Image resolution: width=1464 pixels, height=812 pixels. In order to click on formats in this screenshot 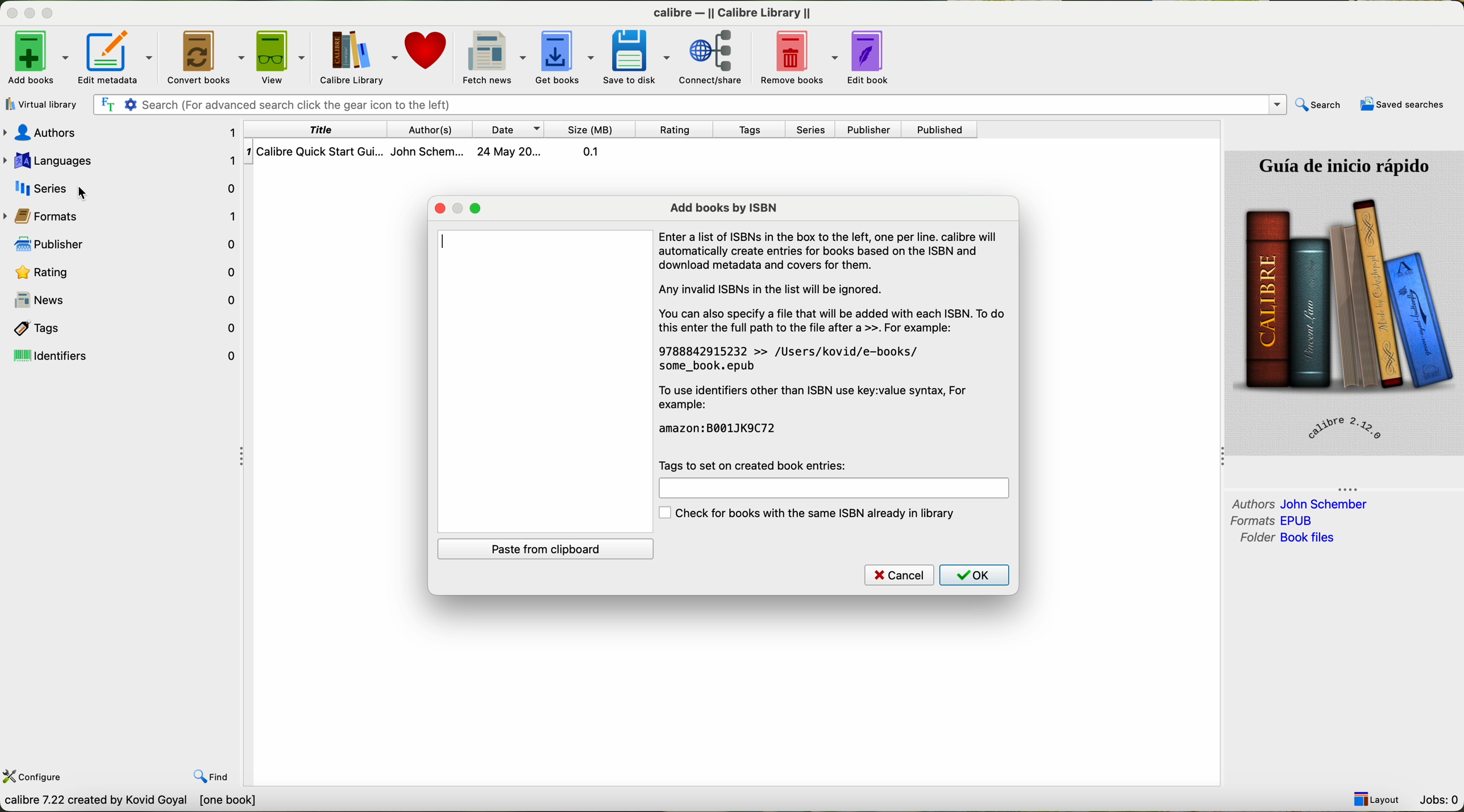, I will do `click(1275, 520)`.